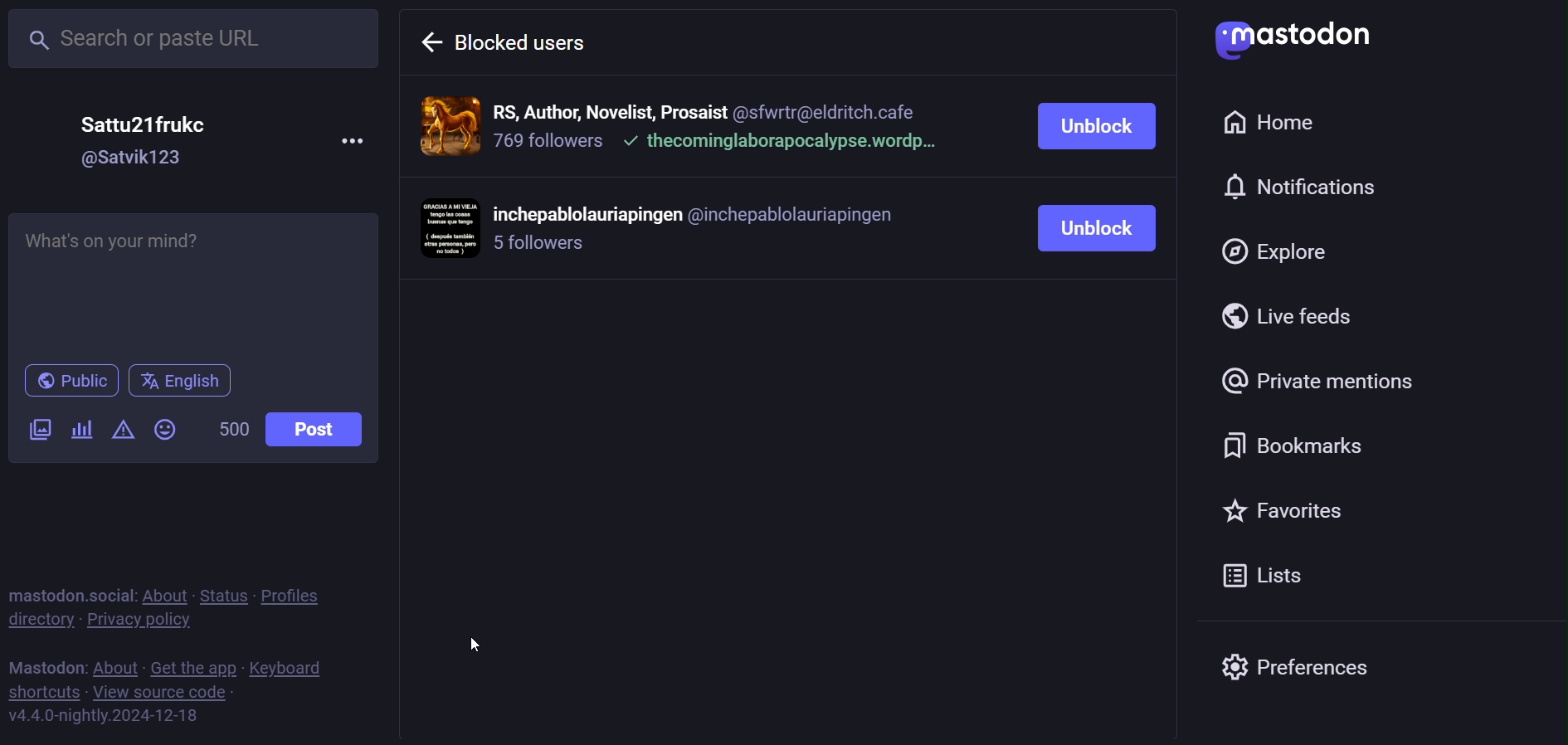 This screenshot has width=1568, height=745. What do you see at coordinates (152, 621) in the screenshot?
I see `privacy policy` at bounding box center [152, 621].